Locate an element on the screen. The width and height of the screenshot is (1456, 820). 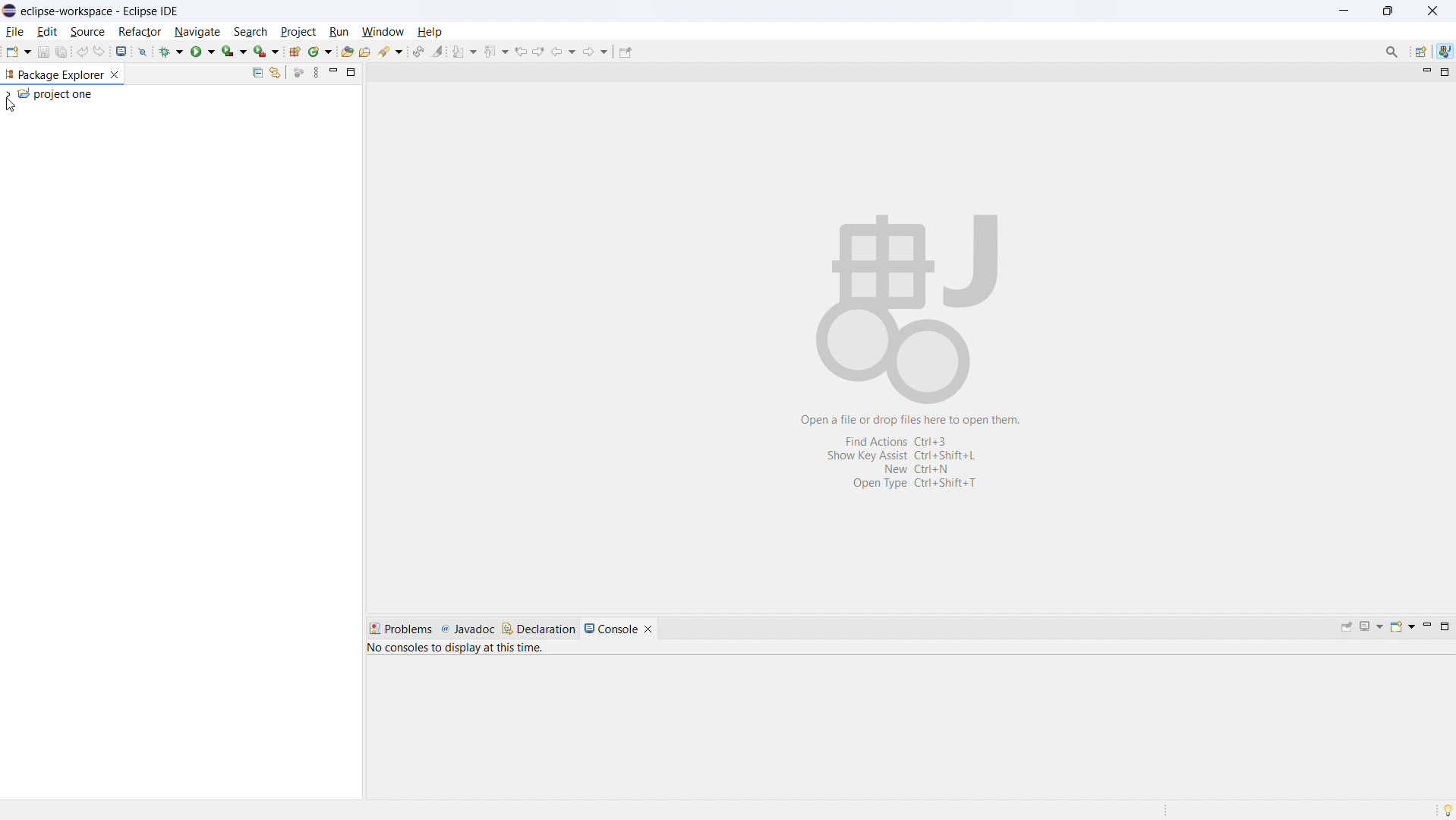
maximize is located at coordinates (1445, 628).